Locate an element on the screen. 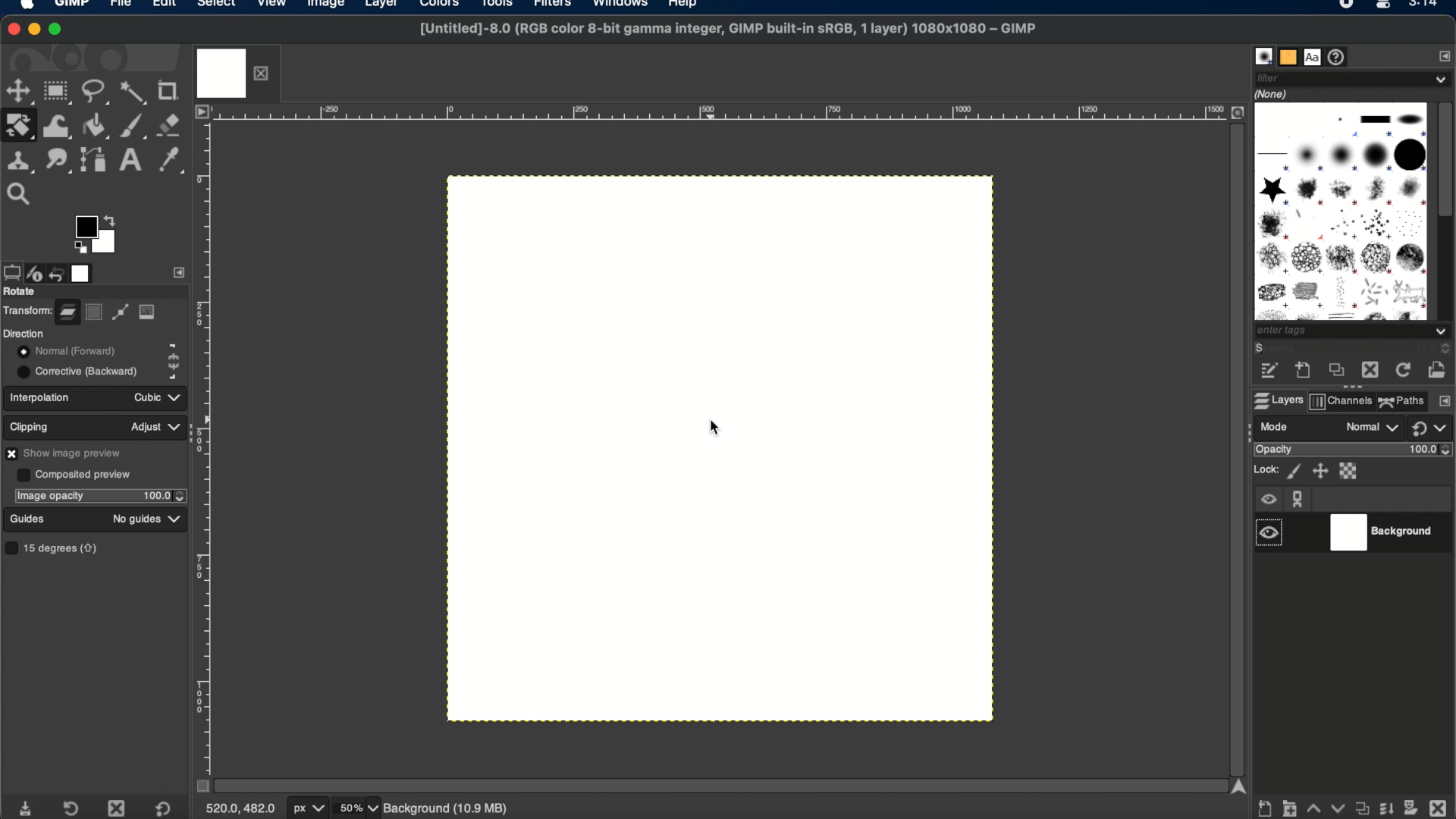 The image size is (1456, 819). windows is located at coordinates (621, 6).